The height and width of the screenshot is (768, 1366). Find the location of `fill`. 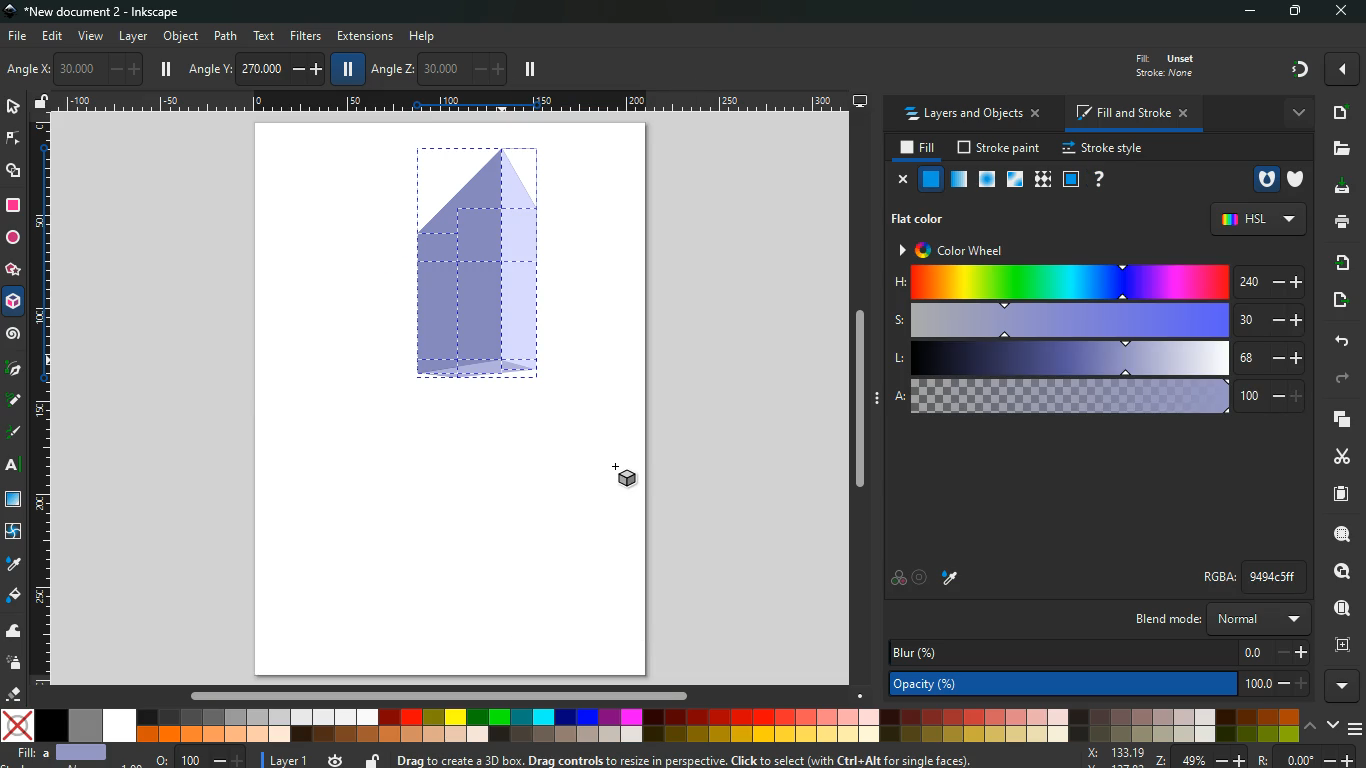

fill is located at coordinates (919, 148).